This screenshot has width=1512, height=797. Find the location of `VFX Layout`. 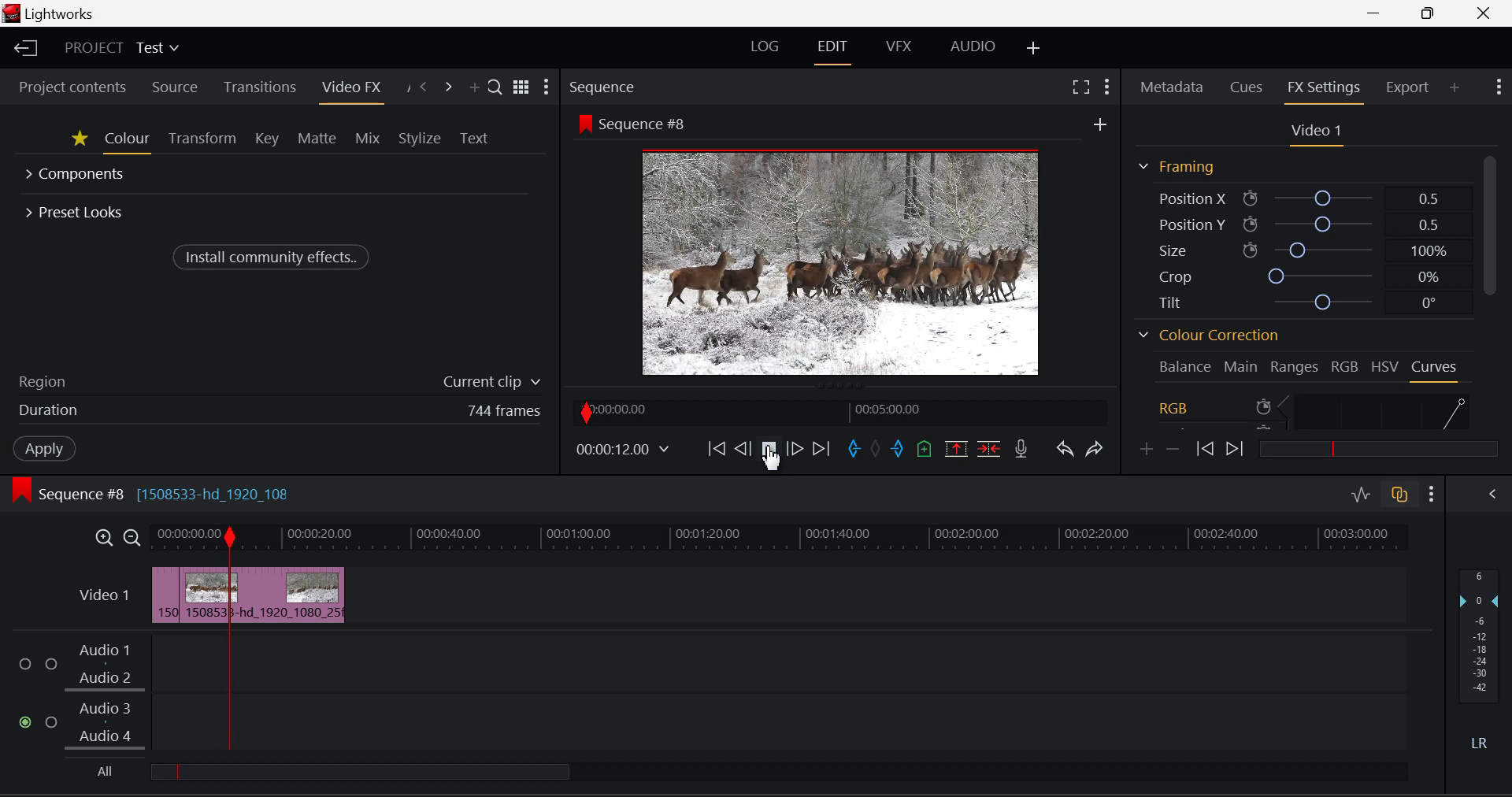

VFX Layout is located at coordinates (897, 48).